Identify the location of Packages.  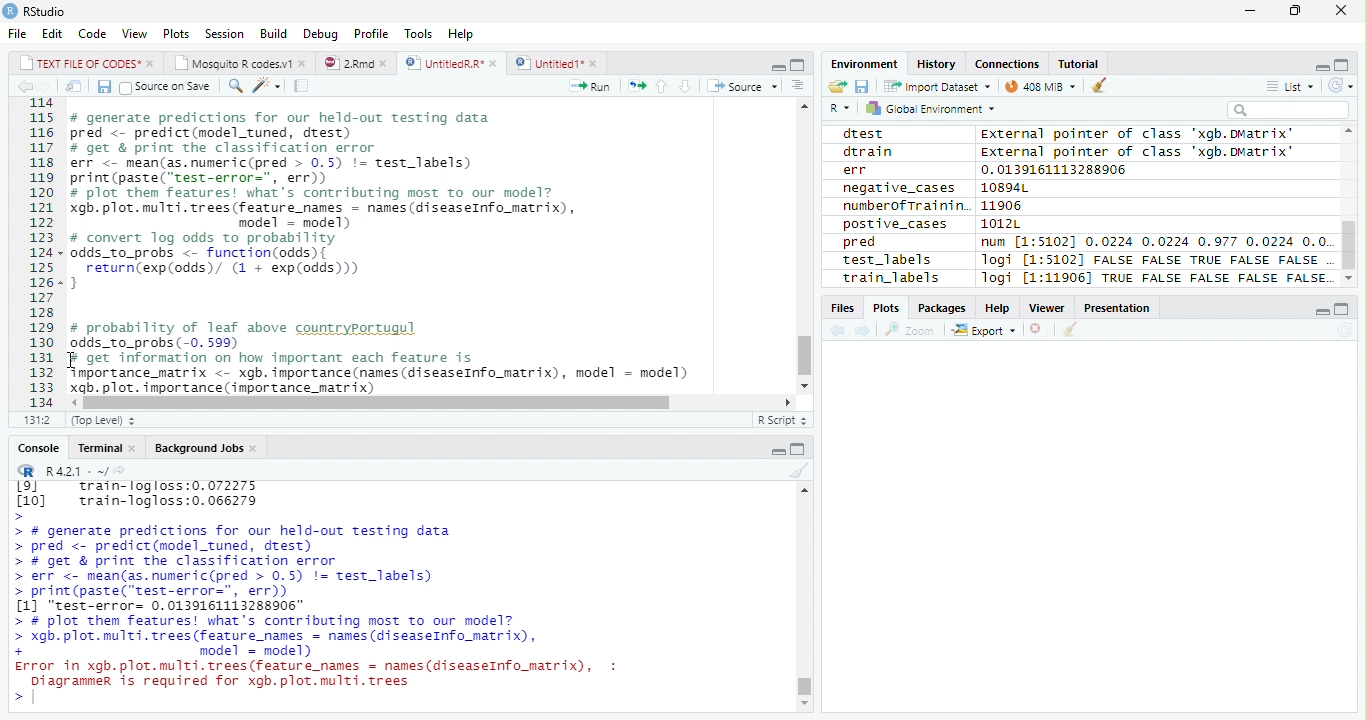
(942, 308).